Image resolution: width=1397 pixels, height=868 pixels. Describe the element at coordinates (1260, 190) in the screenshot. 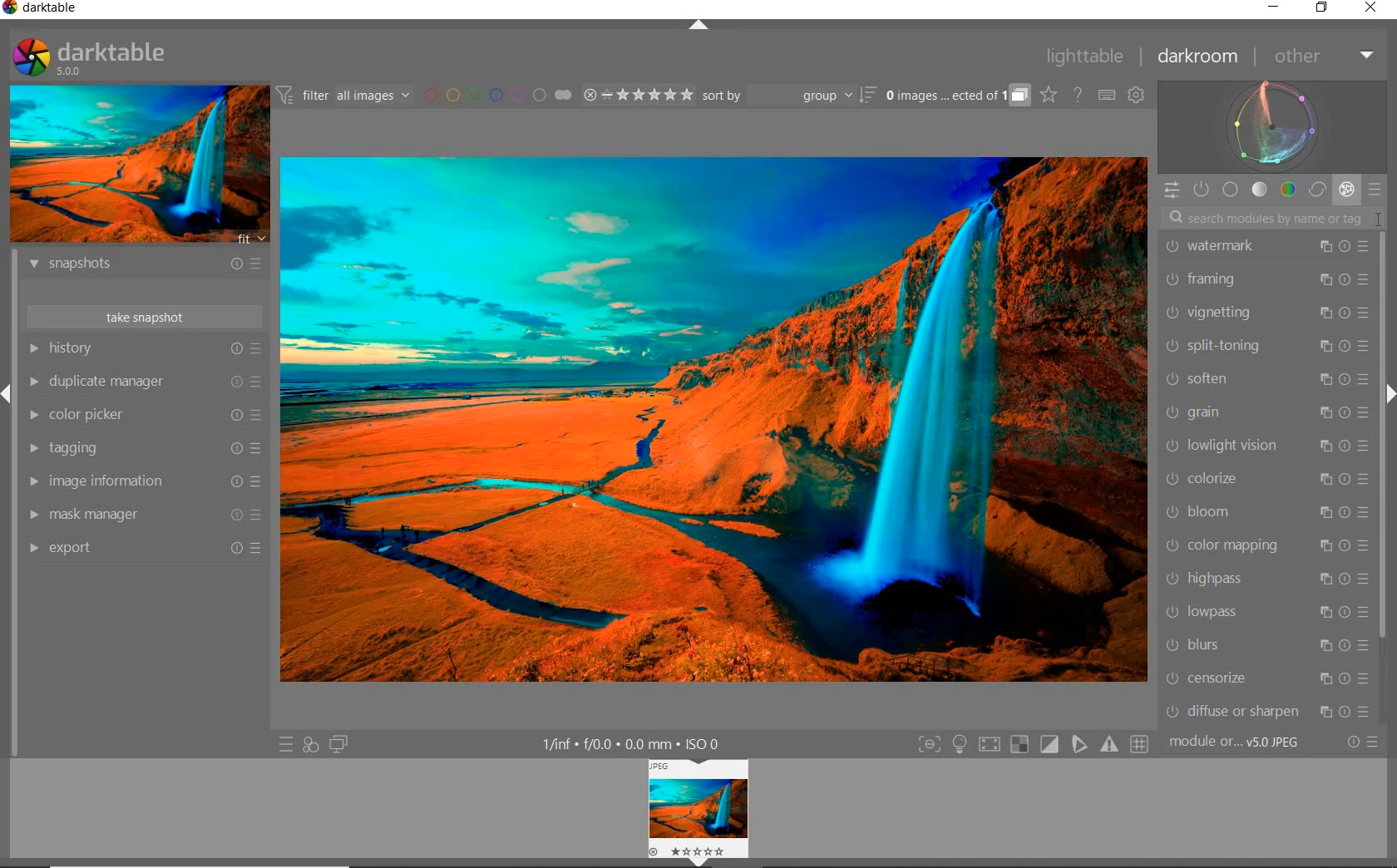

I see `tone` at that location.